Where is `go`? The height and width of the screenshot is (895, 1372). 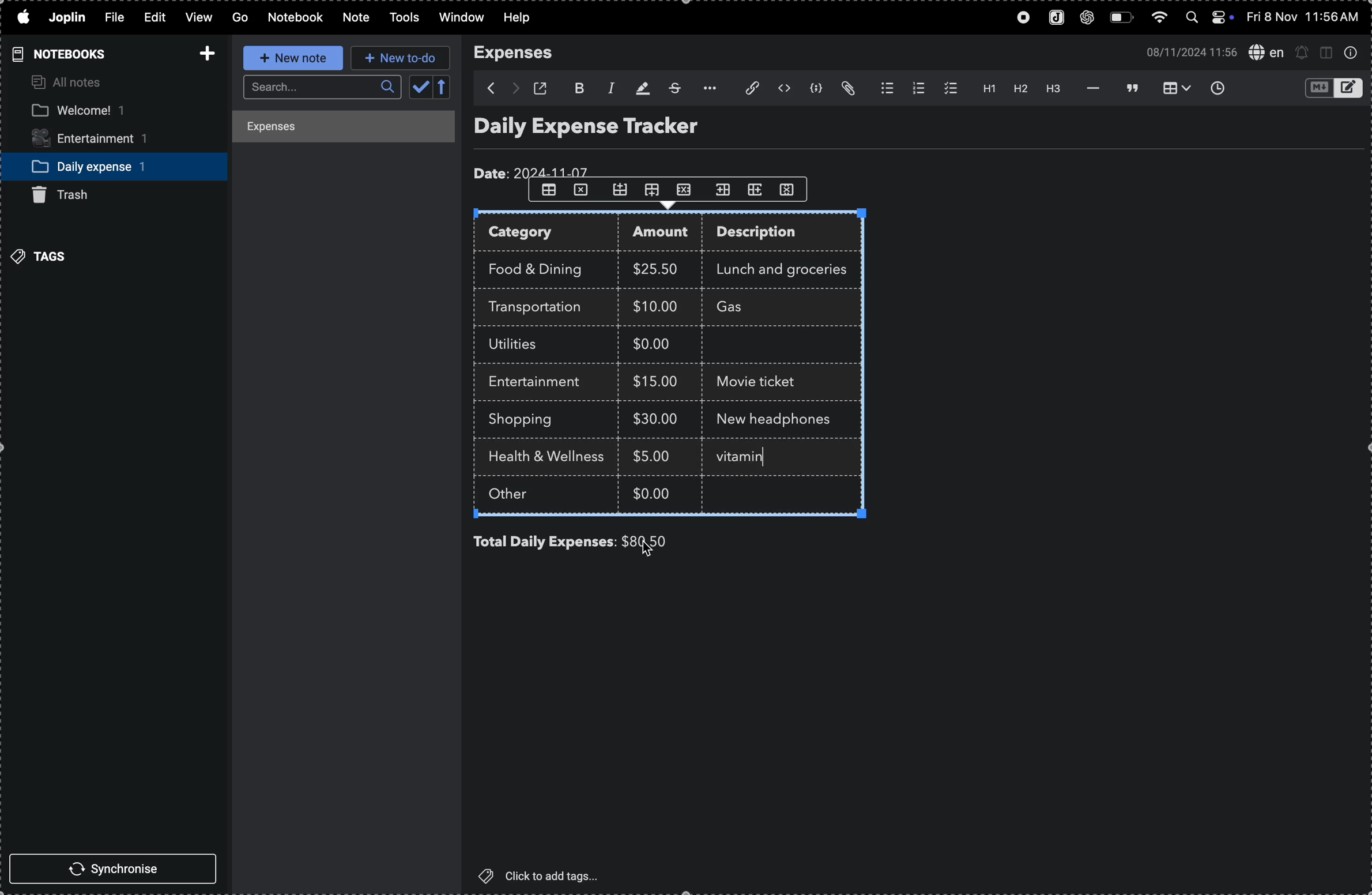 go is located at coordinates (239, 18).